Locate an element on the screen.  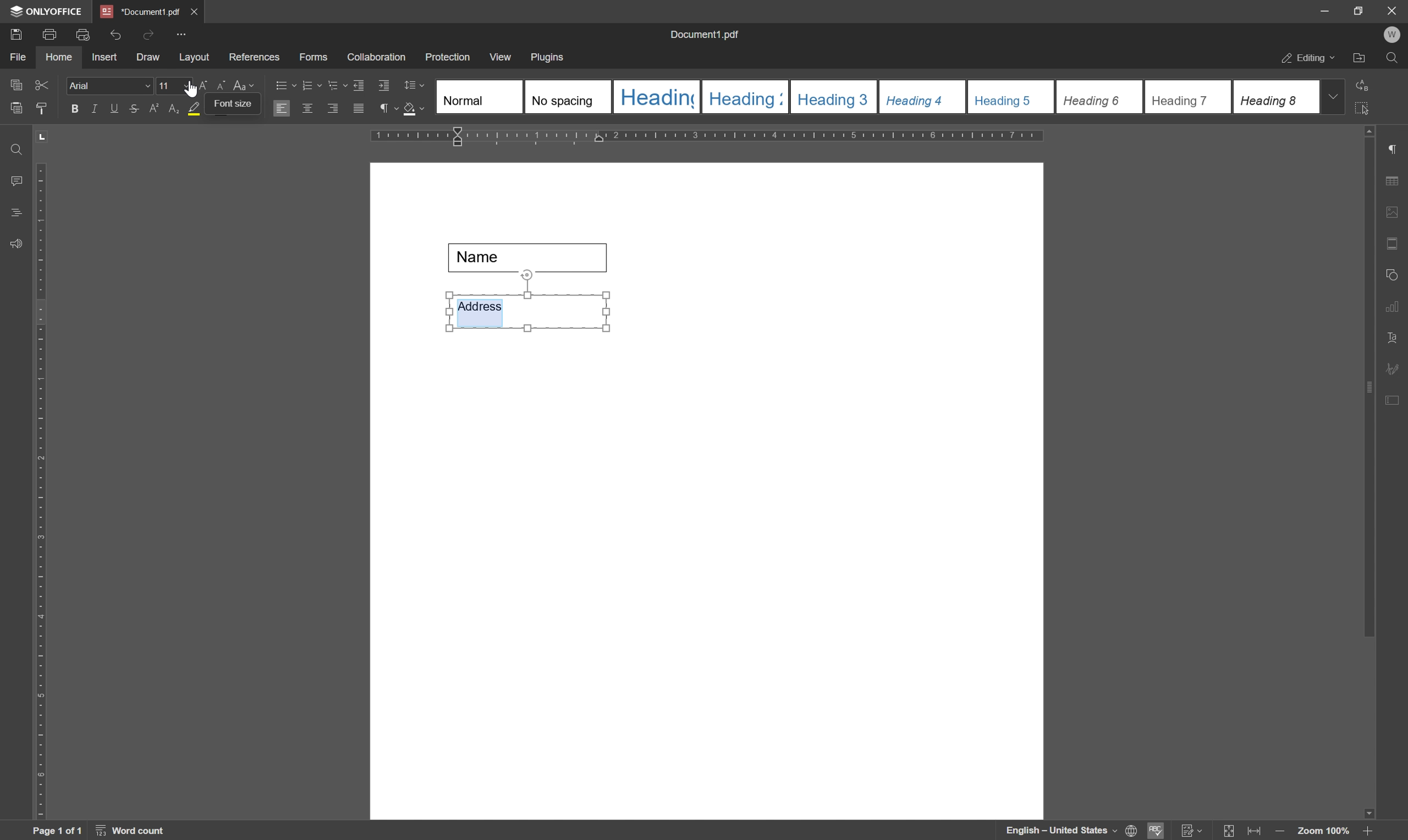
*document1.pdf is located at coordinates (140, 11).